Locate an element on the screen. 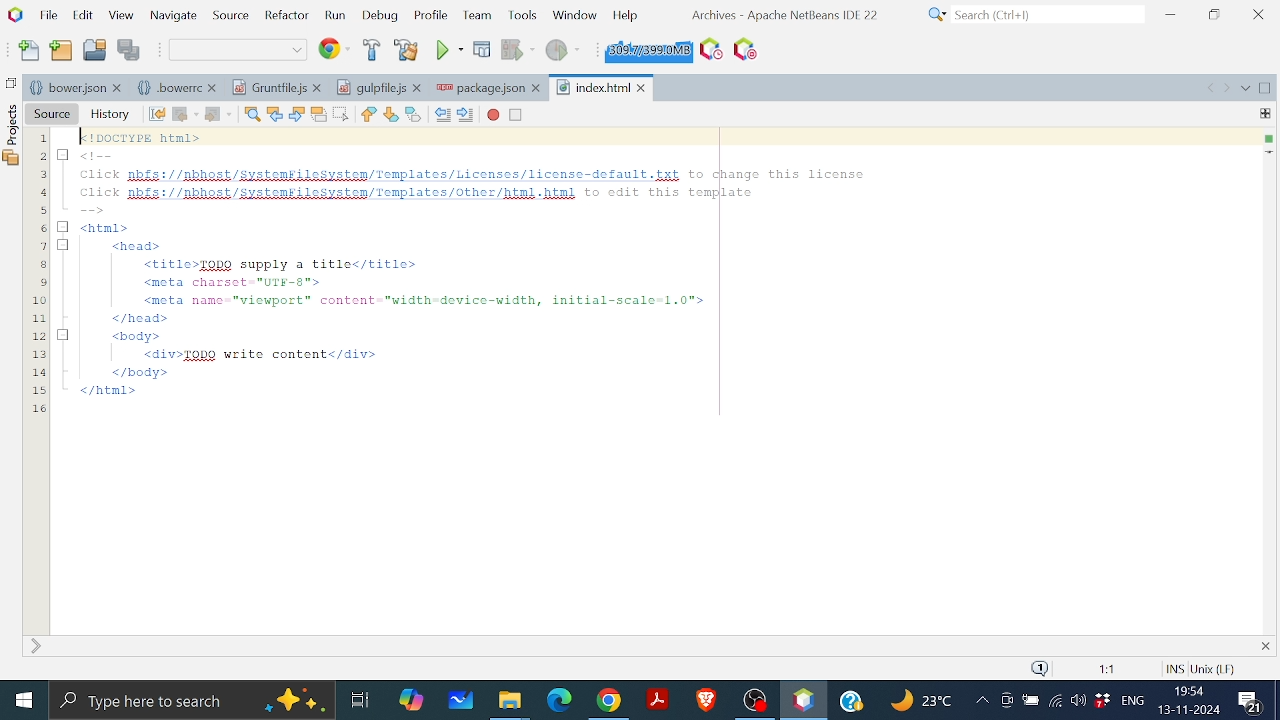 Image resolution: width=1280 pixels, height=720 pixels. Web is located at coordinates (335, 48).